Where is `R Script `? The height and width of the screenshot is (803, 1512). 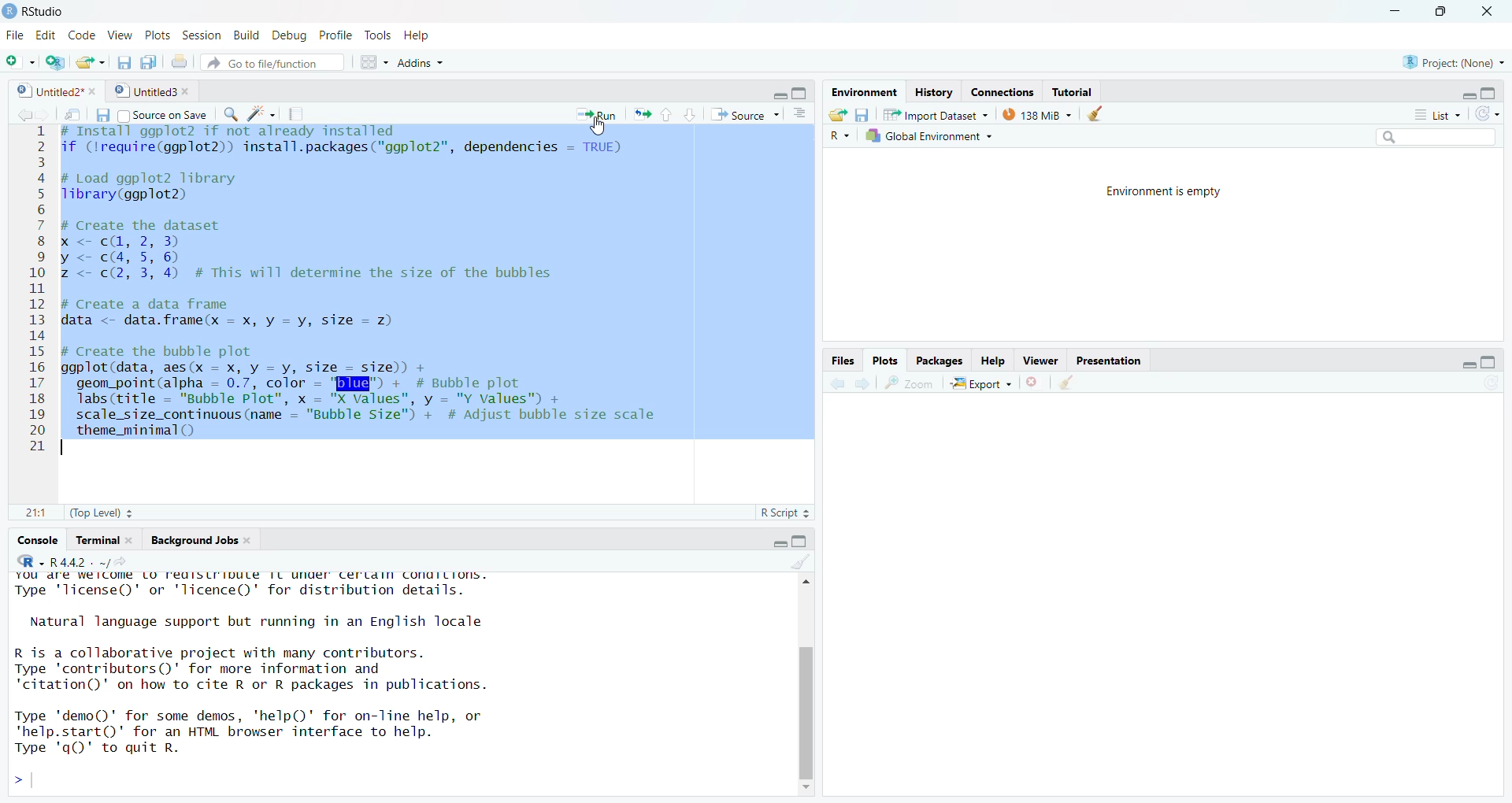
R Script  is located at coordinates (780, 515).